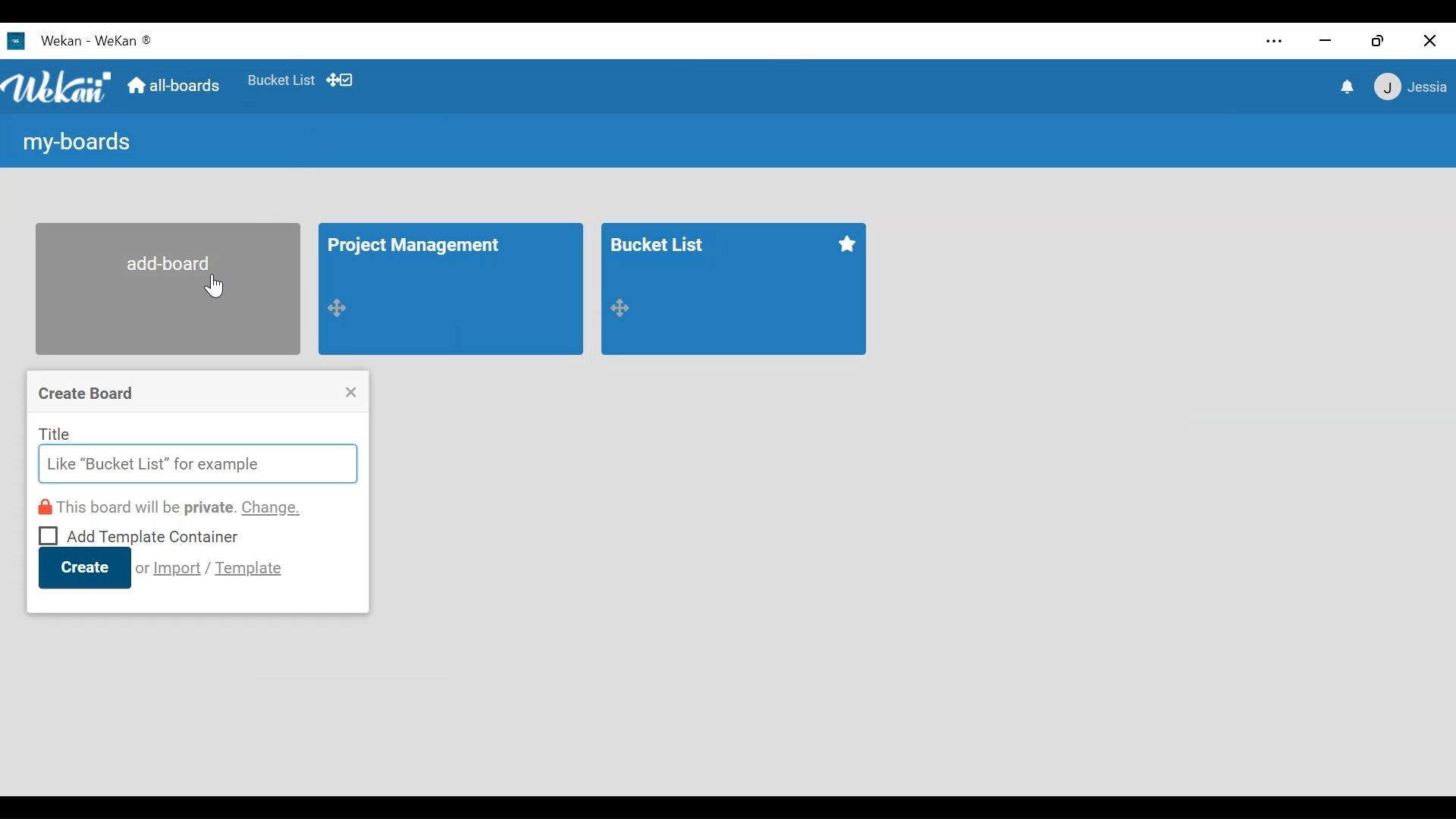 The height and width of the screenshot is (819, 1456). Describe the element at coordinates (210, 568) in the screenshot. I see `Or Import/Template` at that location.